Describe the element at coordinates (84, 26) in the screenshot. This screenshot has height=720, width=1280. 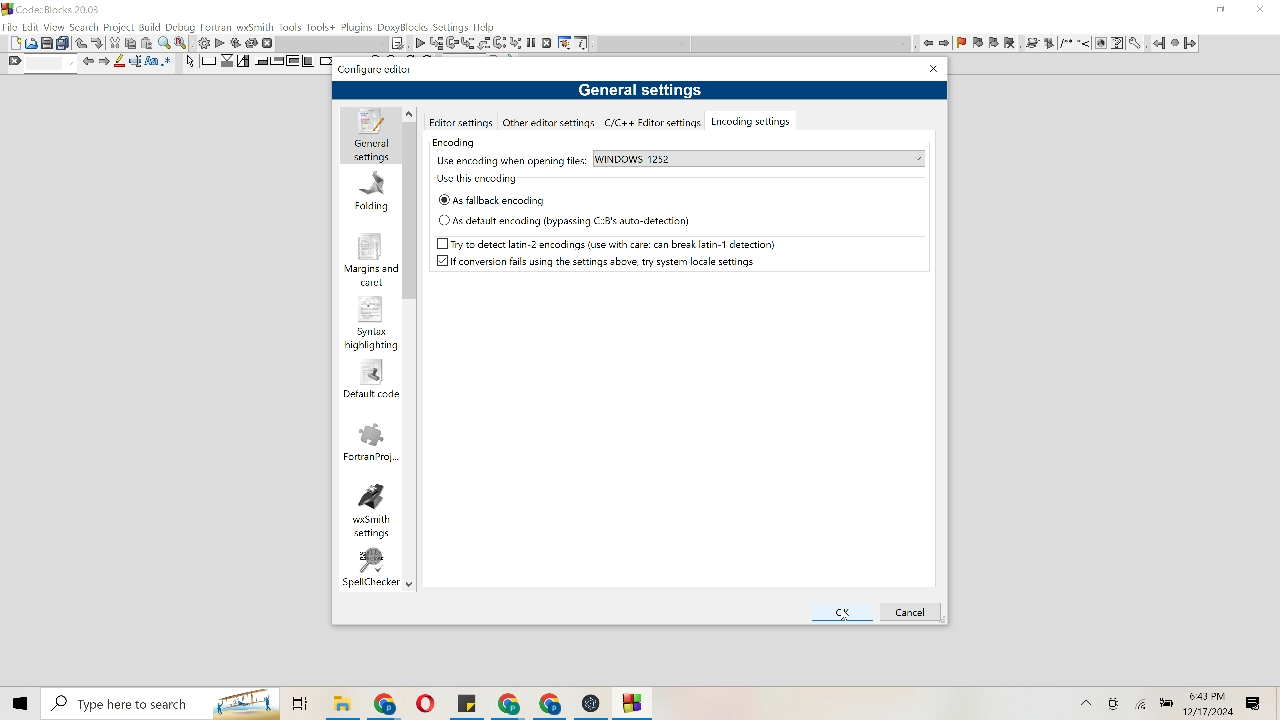
I see `Search` at that location.